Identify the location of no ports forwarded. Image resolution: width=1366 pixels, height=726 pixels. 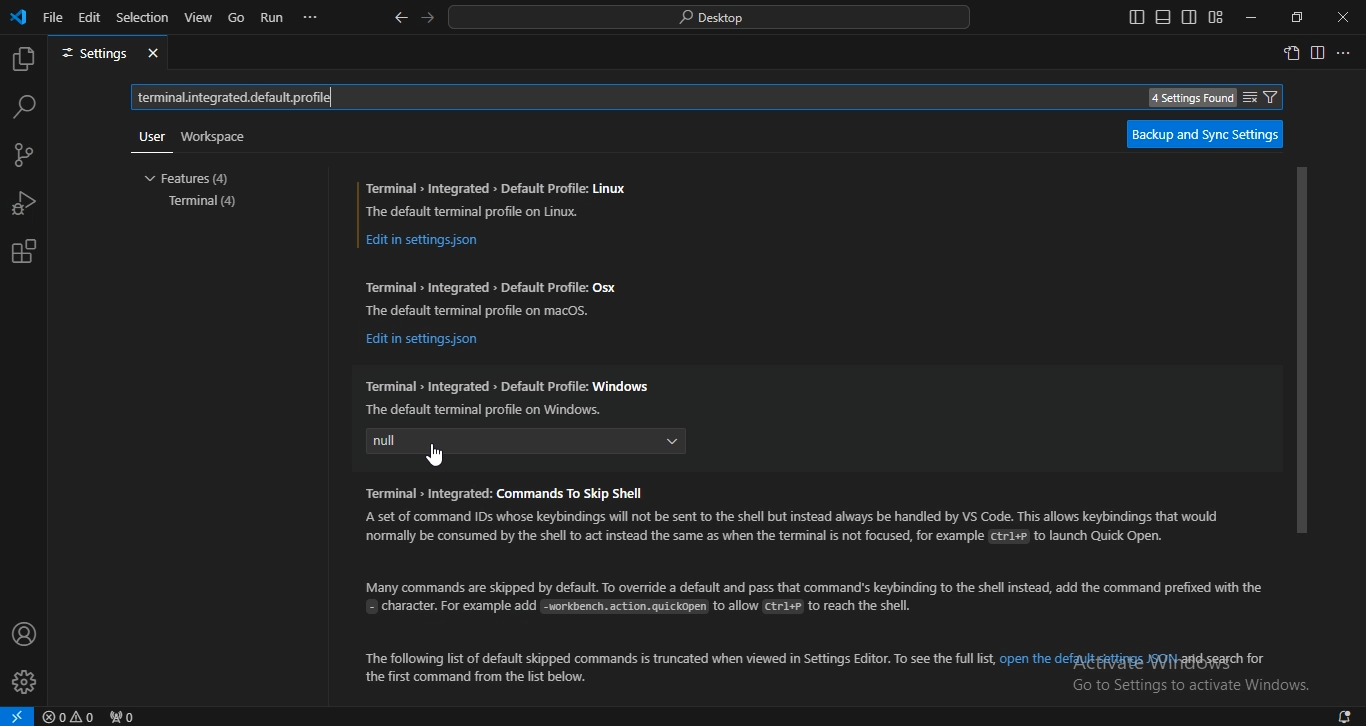
(121, 717).